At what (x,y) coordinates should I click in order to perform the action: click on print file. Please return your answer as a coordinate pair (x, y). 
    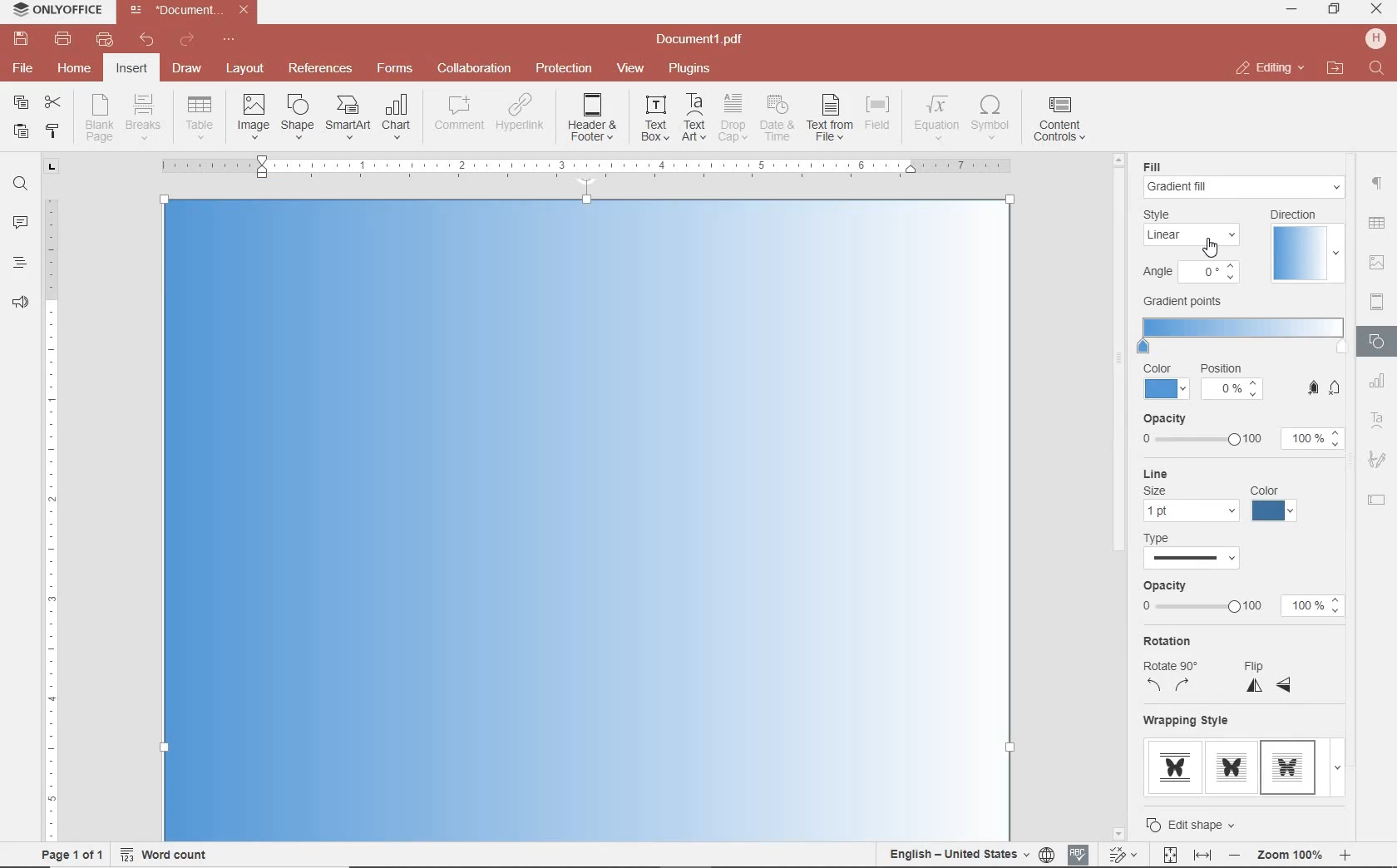
    Looking at the image, I should click on (63, 39).